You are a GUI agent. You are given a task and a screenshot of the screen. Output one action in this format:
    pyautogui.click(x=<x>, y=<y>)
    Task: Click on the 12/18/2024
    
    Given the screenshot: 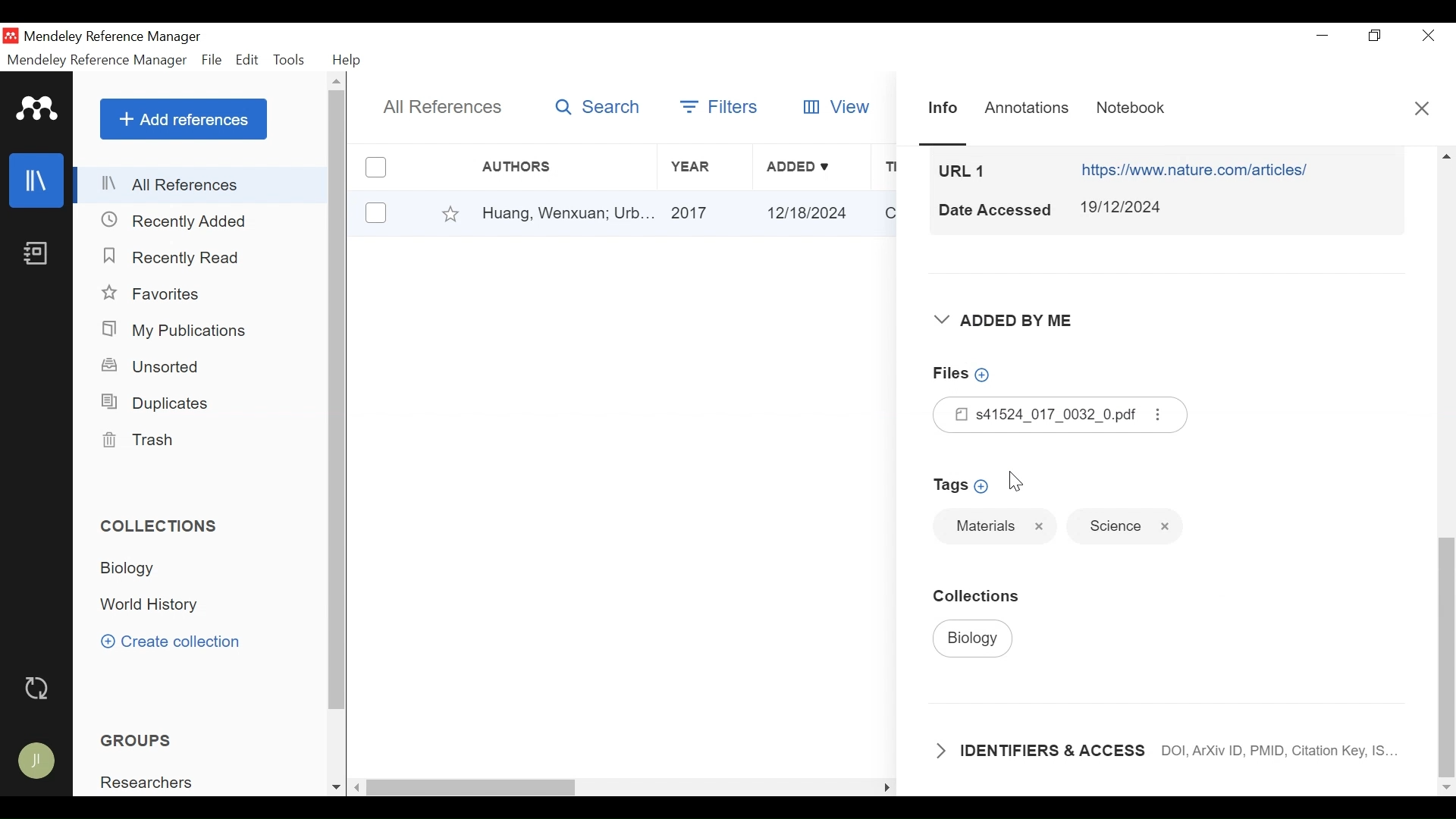 What is the action you would take?
    pyautogui.click(x=811, y=212)
    